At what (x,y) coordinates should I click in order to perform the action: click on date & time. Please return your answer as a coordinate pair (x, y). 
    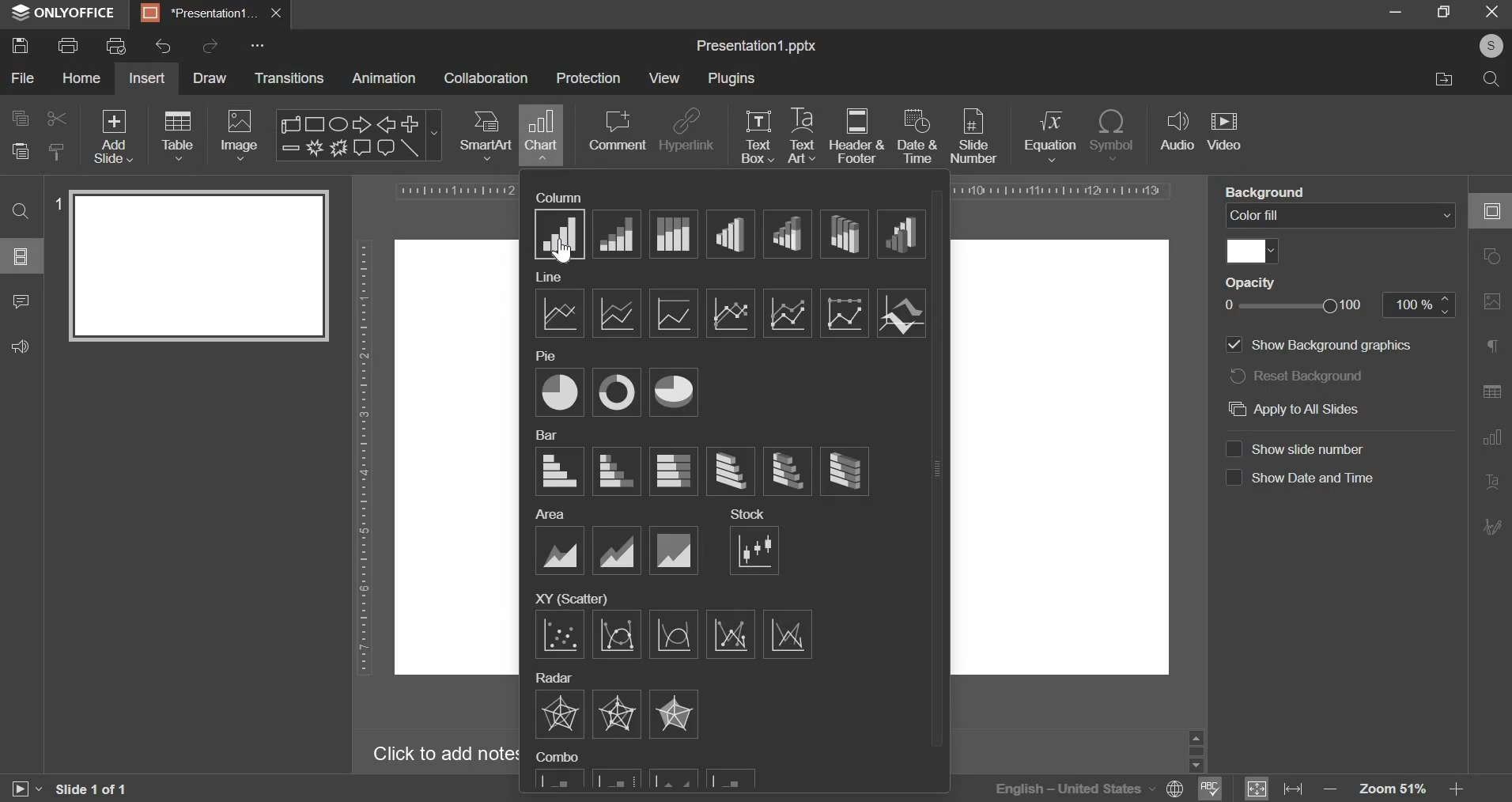
    Looking at the image, I should click on (916, 136).